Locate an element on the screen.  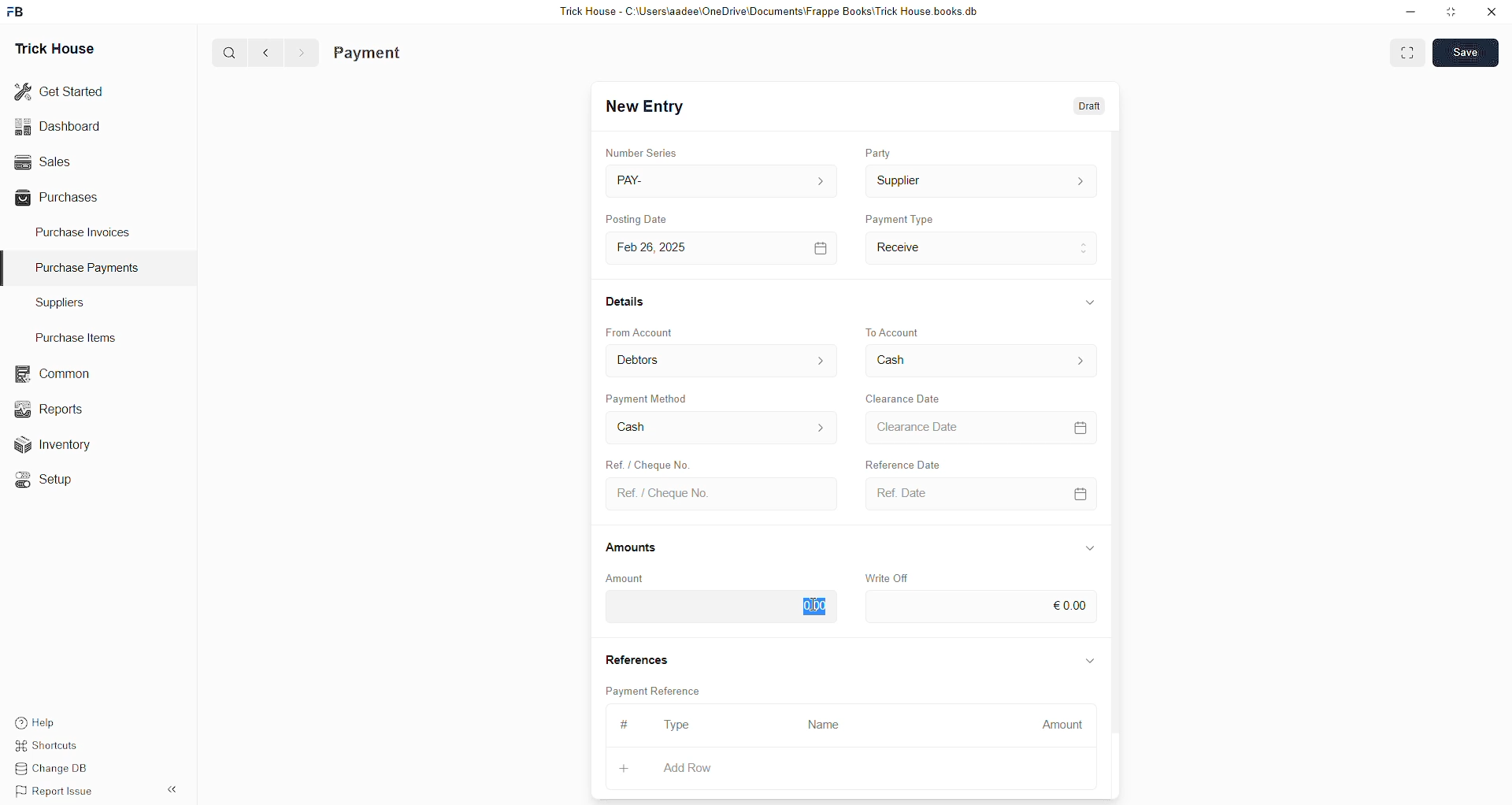
expand is located at coordinates (1089, 658).